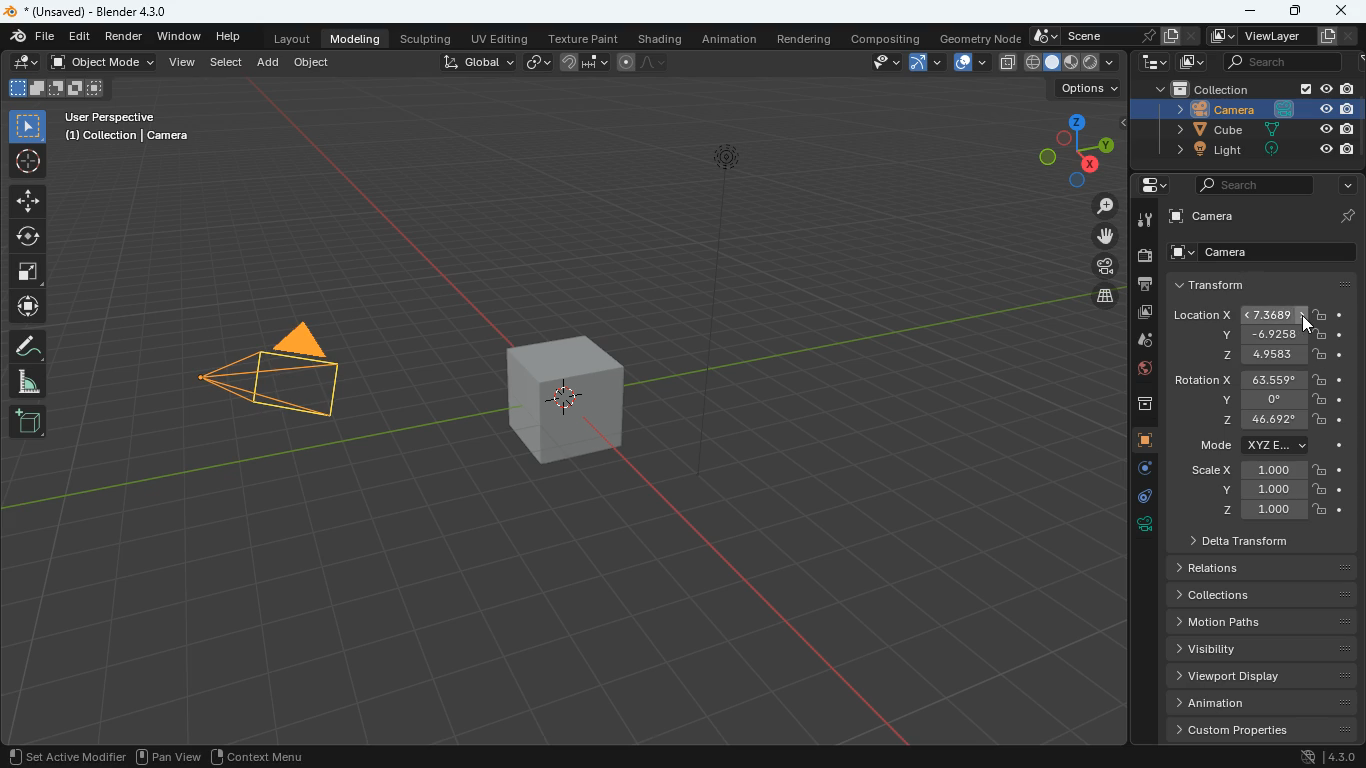 The height and width of the screenshot is (768, 1366). Describe the element at coordinates (1349, 218) in the screenshot. I see `pin` at that location.